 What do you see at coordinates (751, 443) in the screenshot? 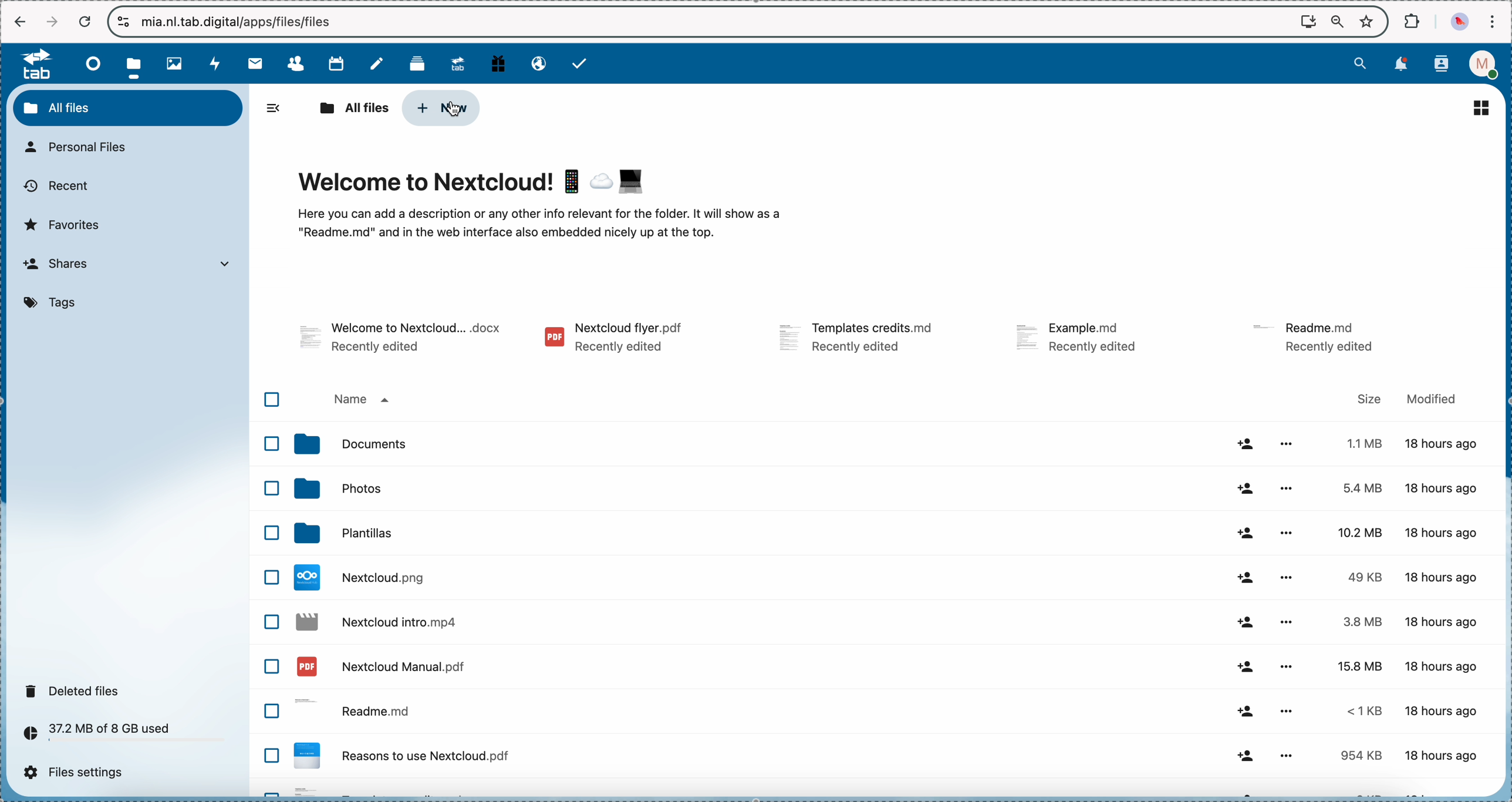
I see `documents` at bounding box center [751, 443].